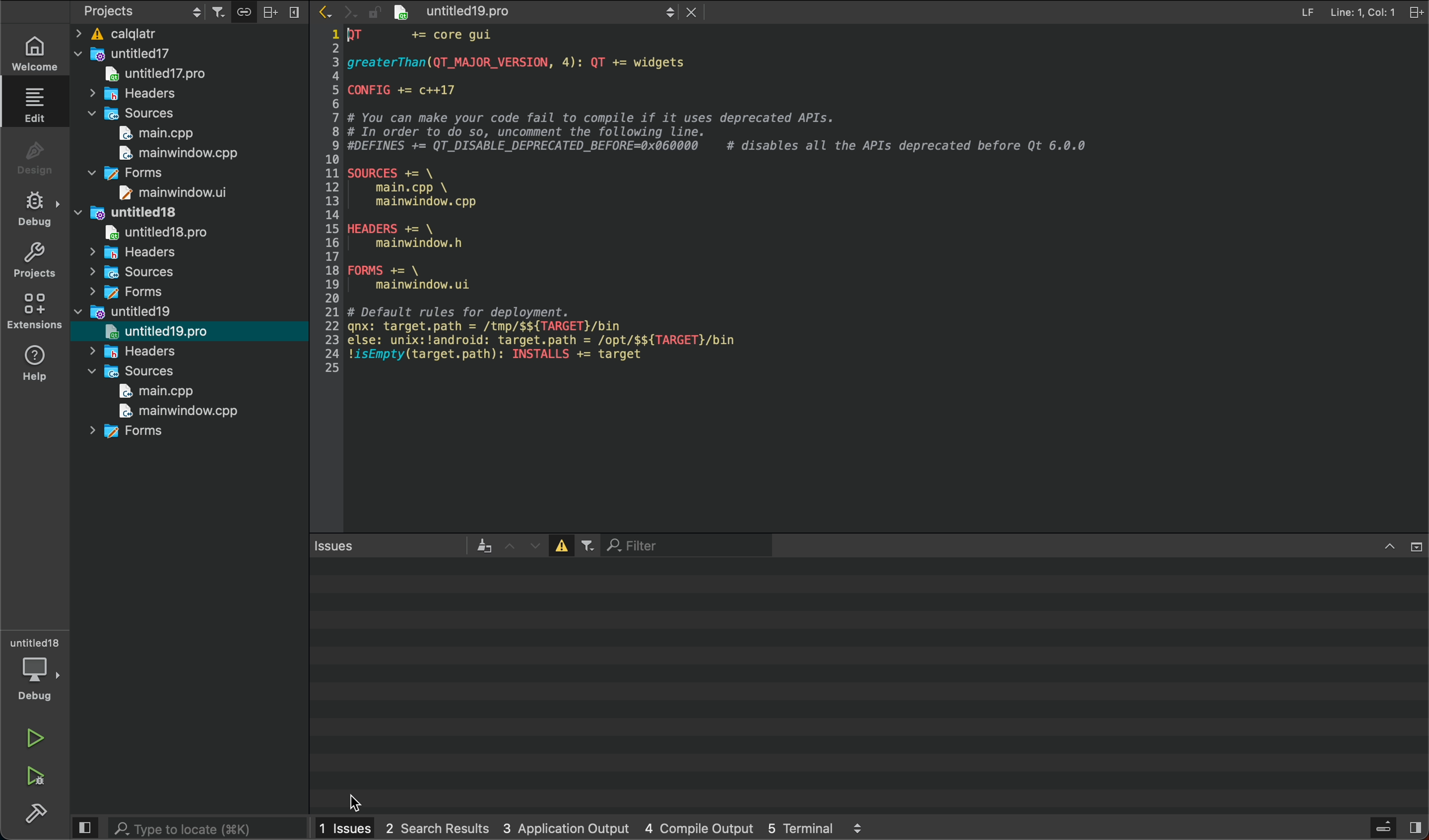 This screenshot has height=840, width=1429. What do you see at coordinates (183, 329) in the screenshot?
I see `untitled19.pro` at bounding box center [183, 329].